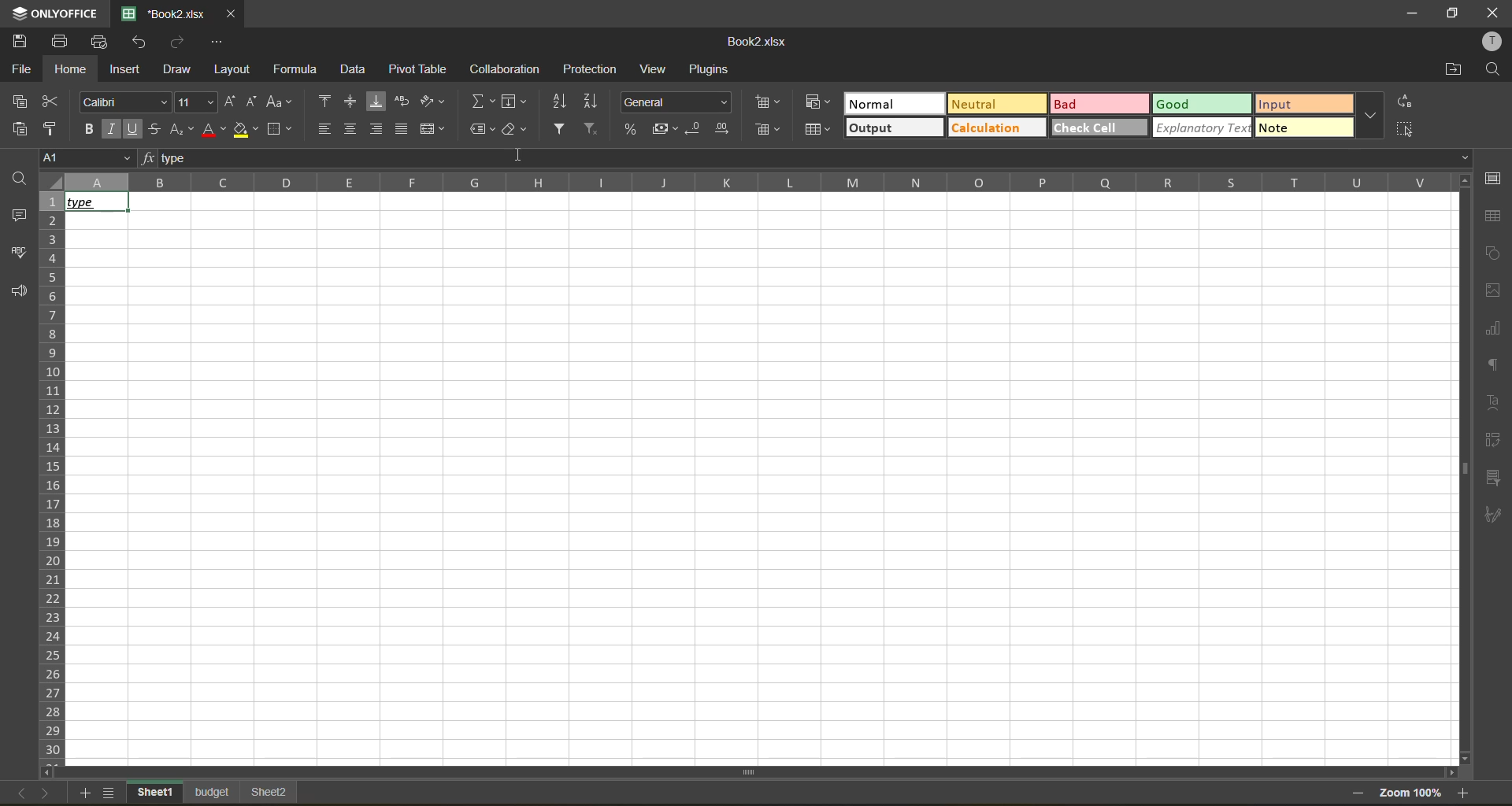 This screenshot has height=806, width=1512. Describe the element at coordinates (183, 71) in the screenshot. I see `draw` at that location.